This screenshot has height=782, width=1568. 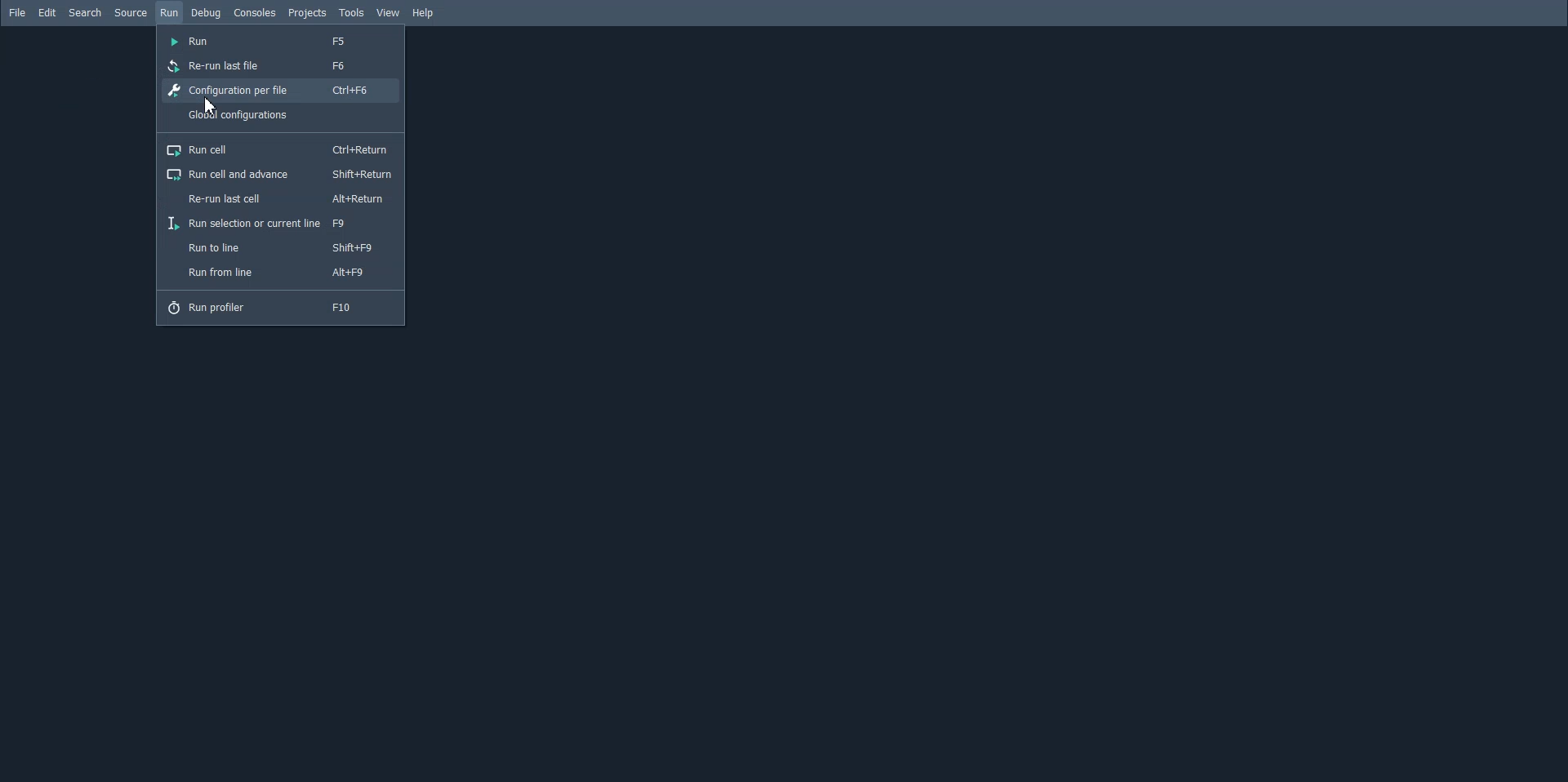 I want to click on cursor, so click(x=207, y=104).